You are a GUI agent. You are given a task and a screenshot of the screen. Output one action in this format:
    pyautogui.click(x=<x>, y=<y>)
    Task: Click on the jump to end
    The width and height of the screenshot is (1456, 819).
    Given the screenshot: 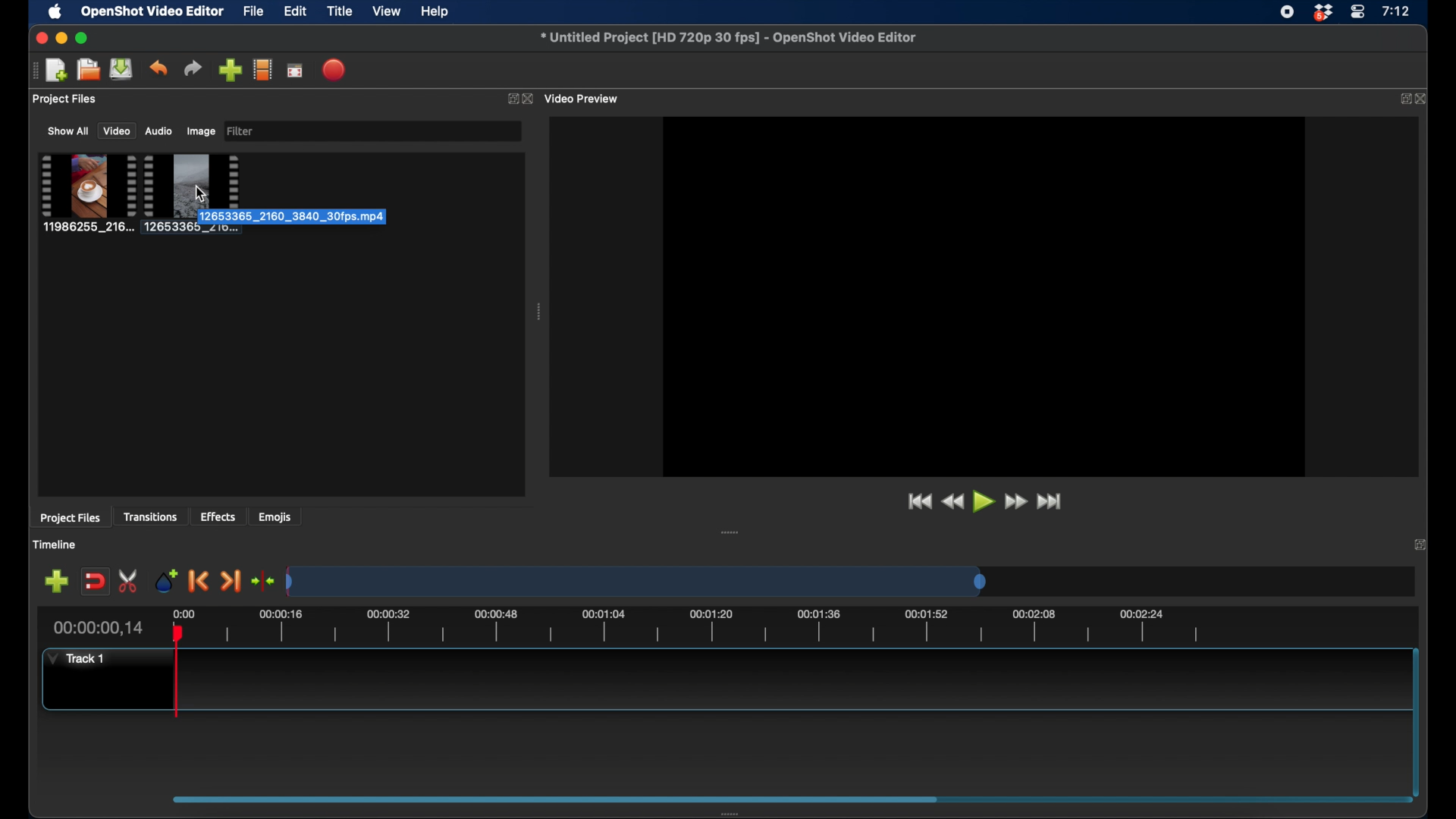 What is the action you would take?
    pyautogui.click(x=1052, y=502)
    